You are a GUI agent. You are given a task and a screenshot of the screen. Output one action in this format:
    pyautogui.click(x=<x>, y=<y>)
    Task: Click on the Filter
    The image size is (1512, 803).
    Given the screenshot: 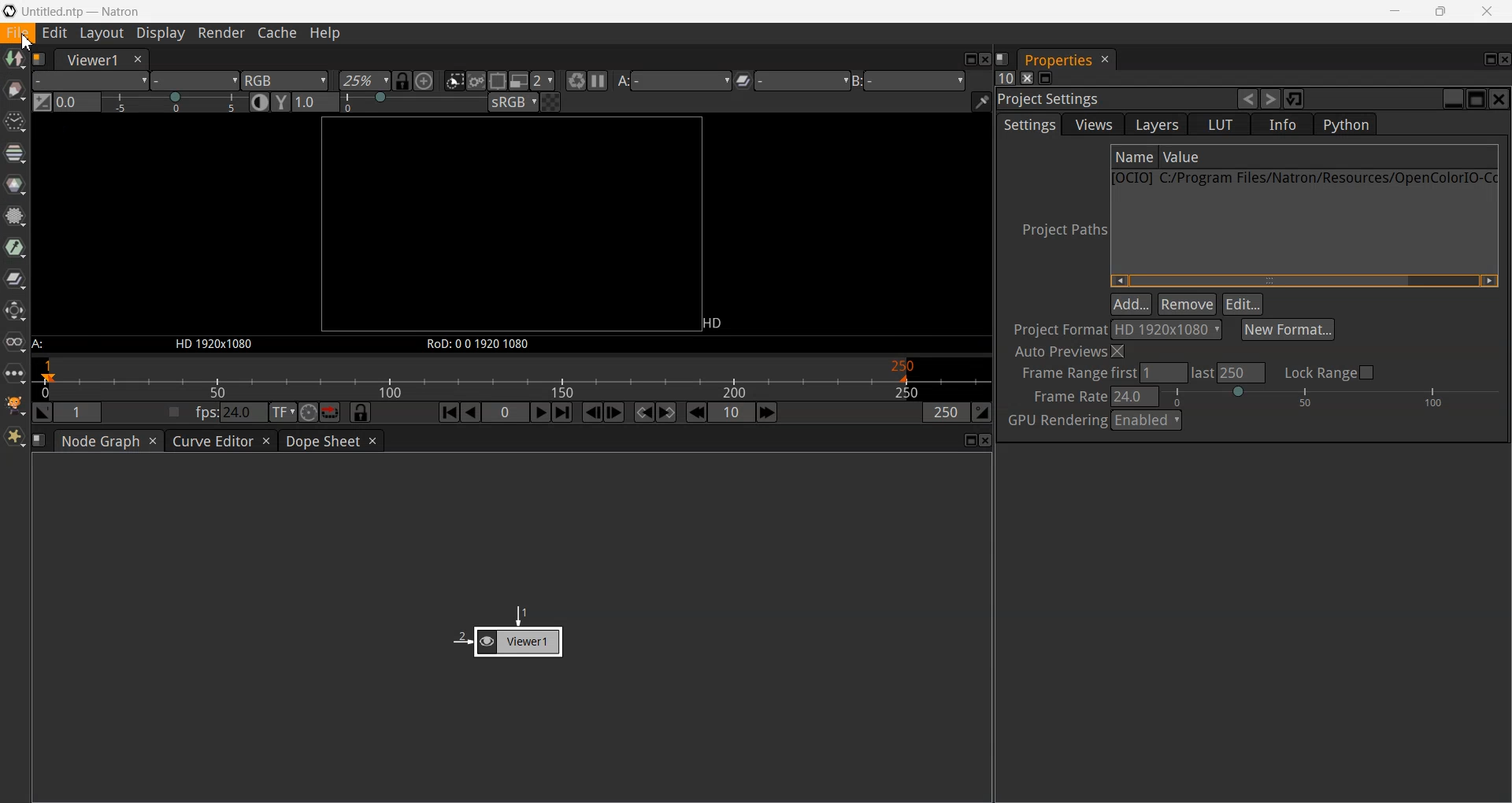 What is the action you would take?
    pyautogui.click(x=15, y=215)
    